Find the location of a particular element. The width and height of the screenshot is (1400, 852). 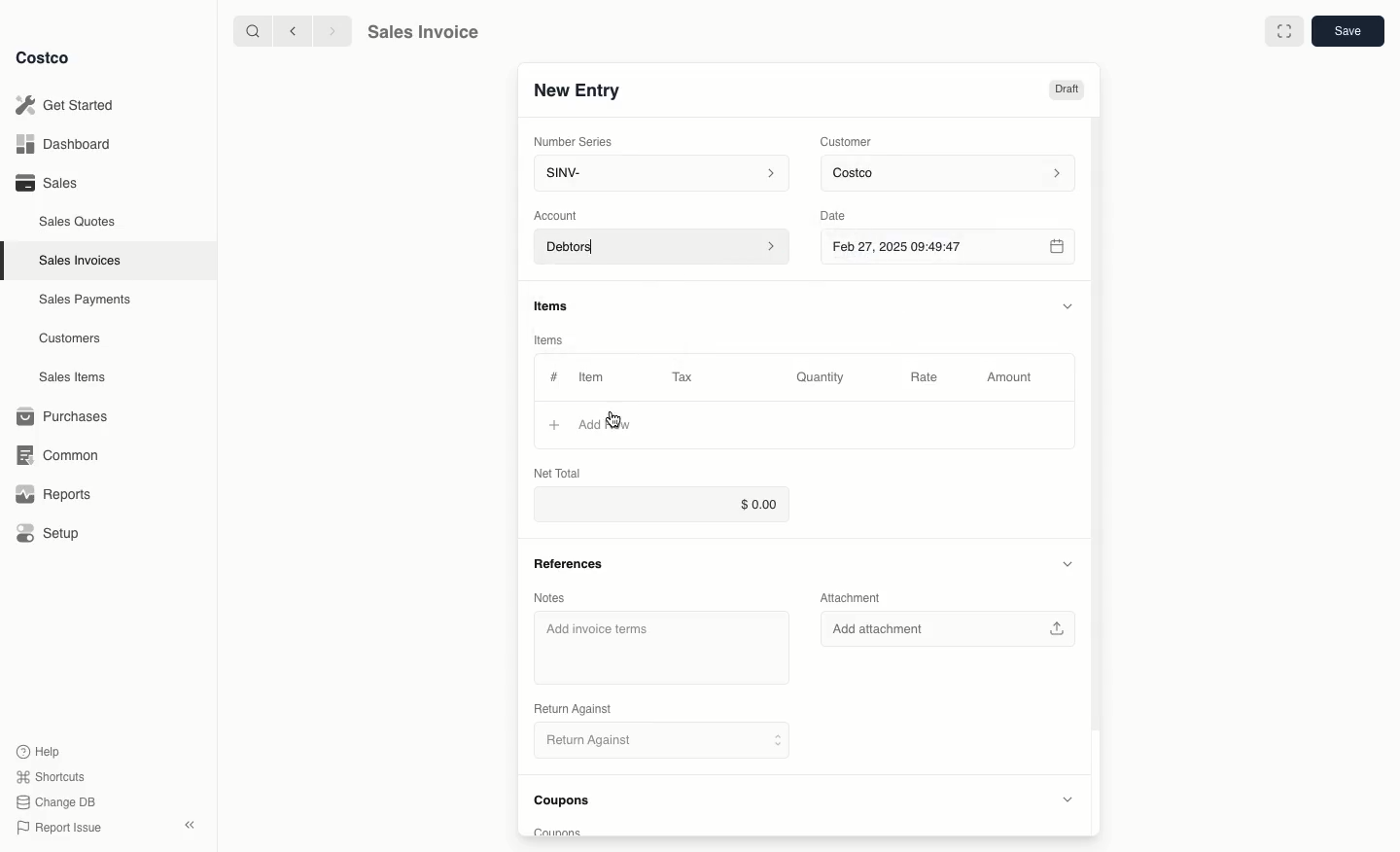

Draft is located at coordinates (1067, 90).